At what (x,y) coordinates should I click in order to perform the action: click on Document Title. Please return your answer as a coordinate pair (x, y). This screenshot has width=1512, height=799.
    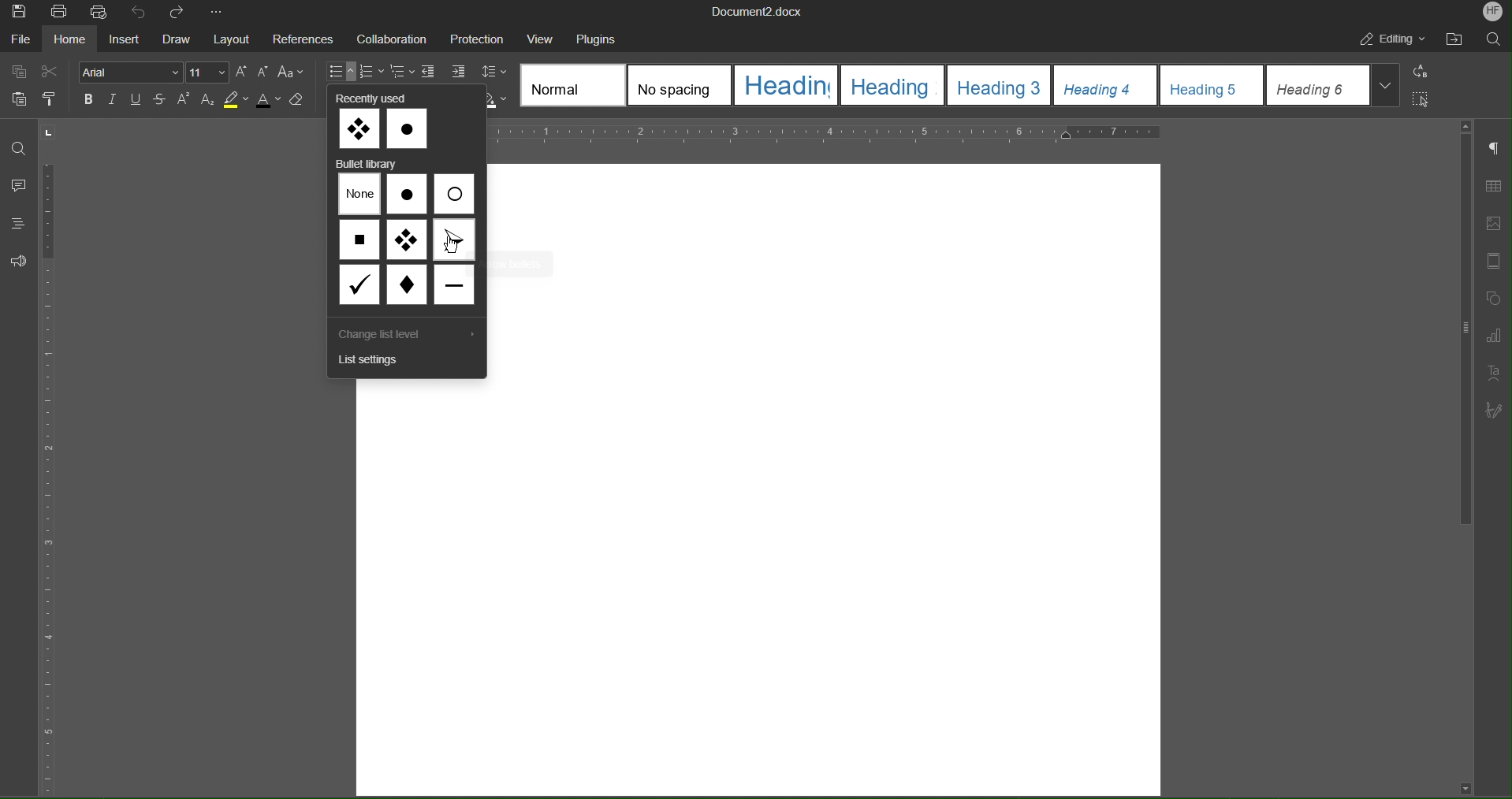
    Looking at the image, I should click on (759, 11).